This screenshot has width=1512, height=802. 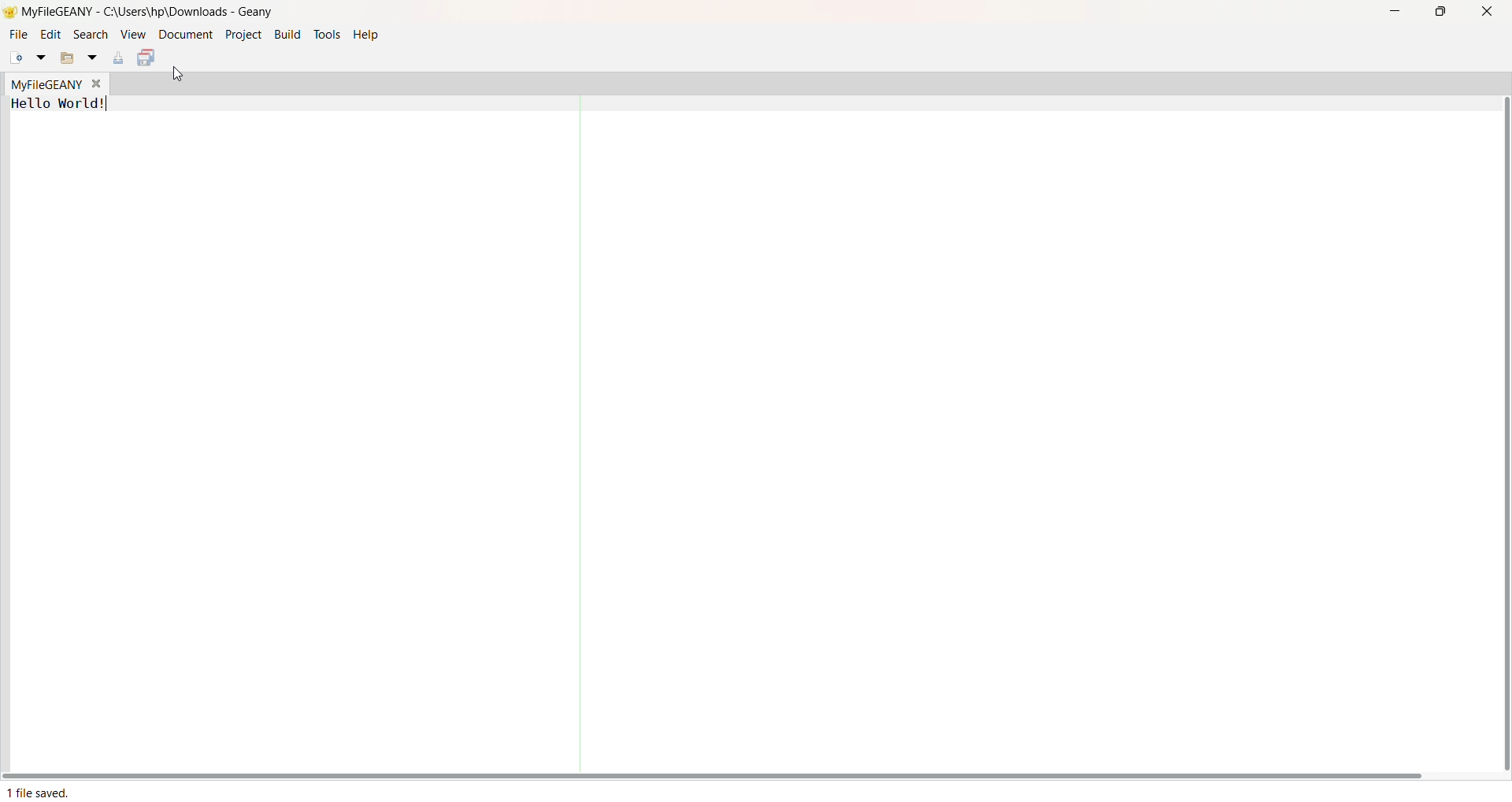 I want to click on Project, so click(x=242, y=35).